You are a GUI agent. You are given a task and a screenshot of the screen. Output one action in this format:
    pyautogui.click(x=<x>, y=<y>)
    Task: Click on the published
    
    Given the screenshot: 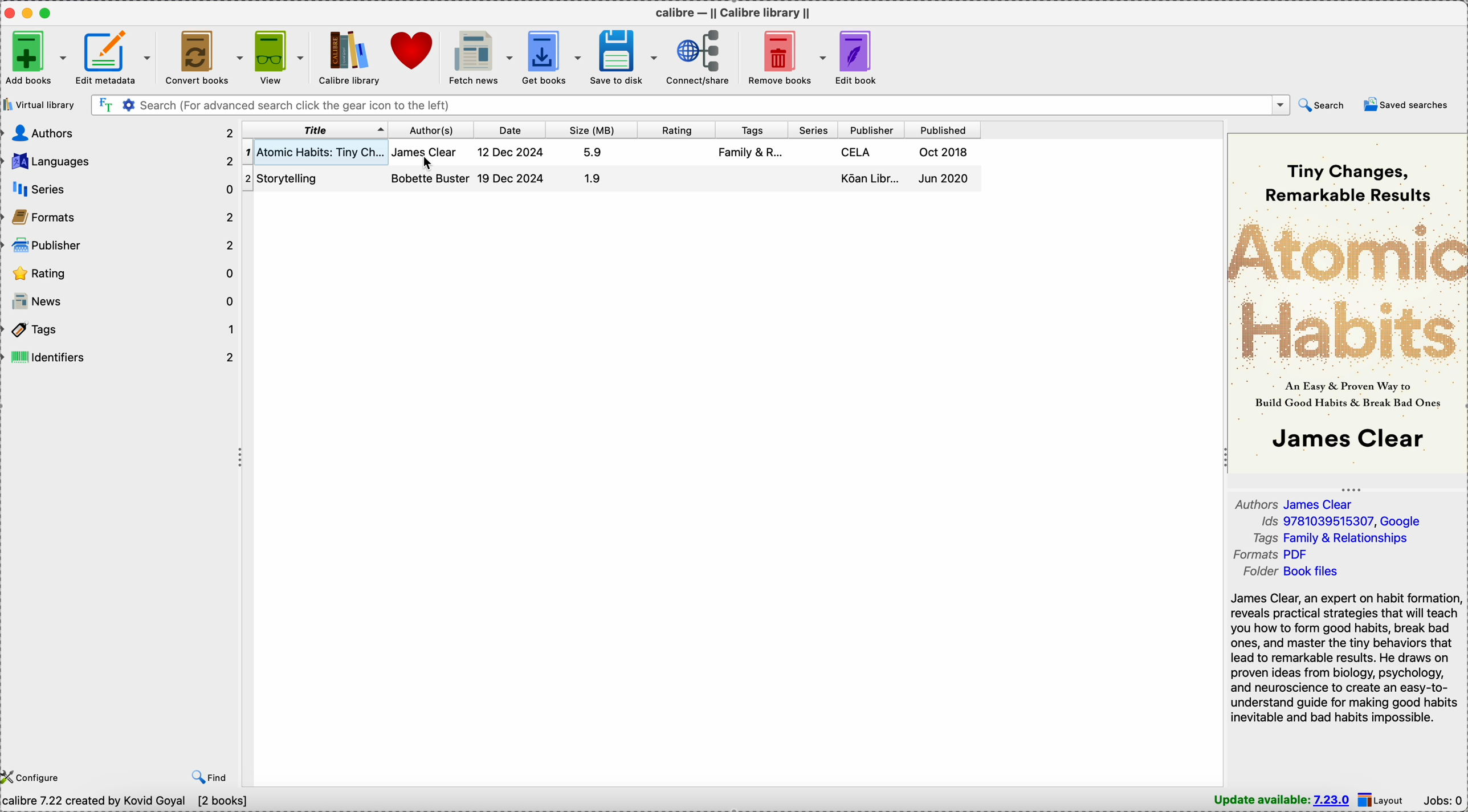 What is the action you would take?
    pyautogui.click(x=942, y=130)
    